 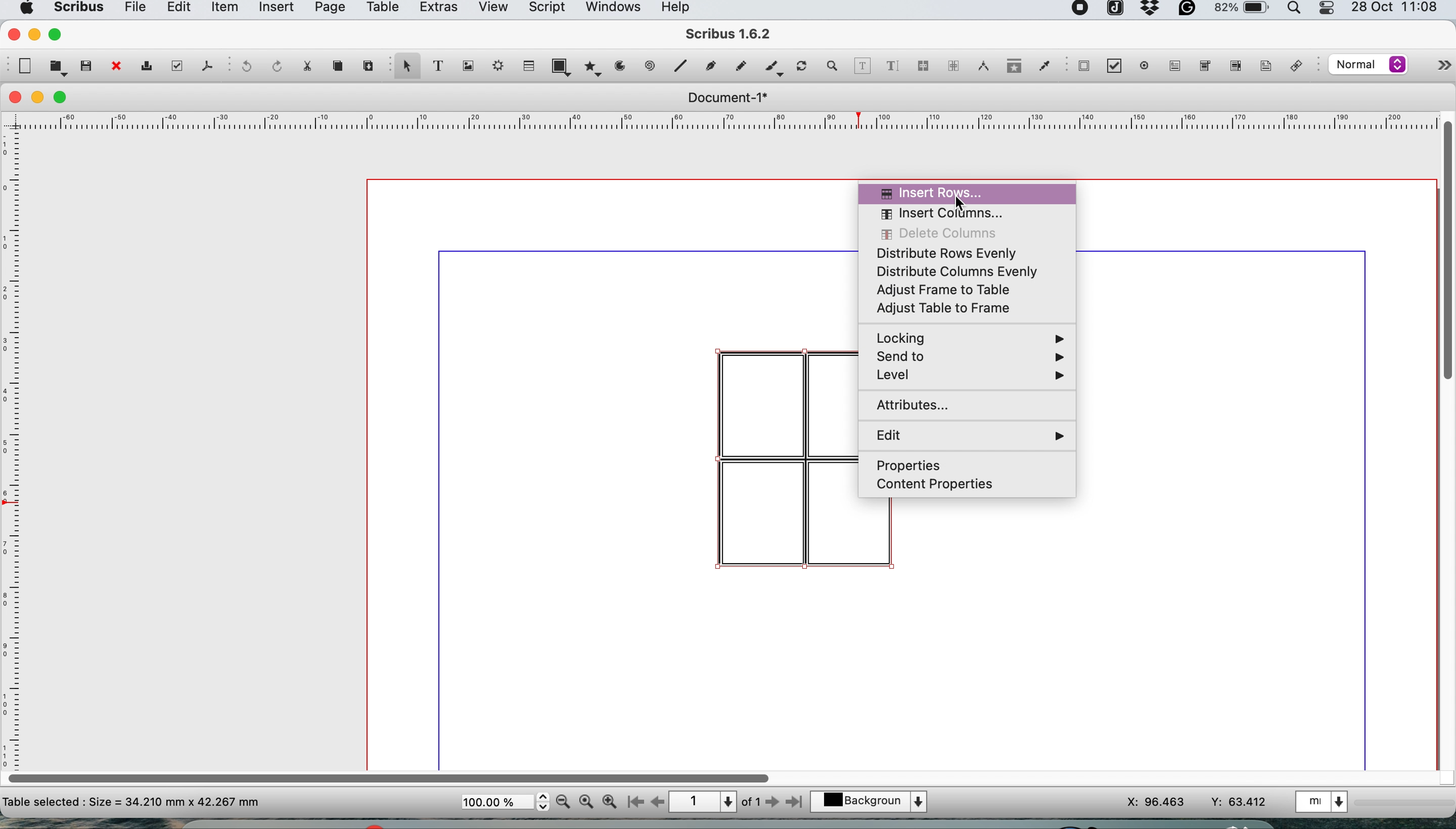 I want to click on select the image preview quality, so click(x=1365, y=64).